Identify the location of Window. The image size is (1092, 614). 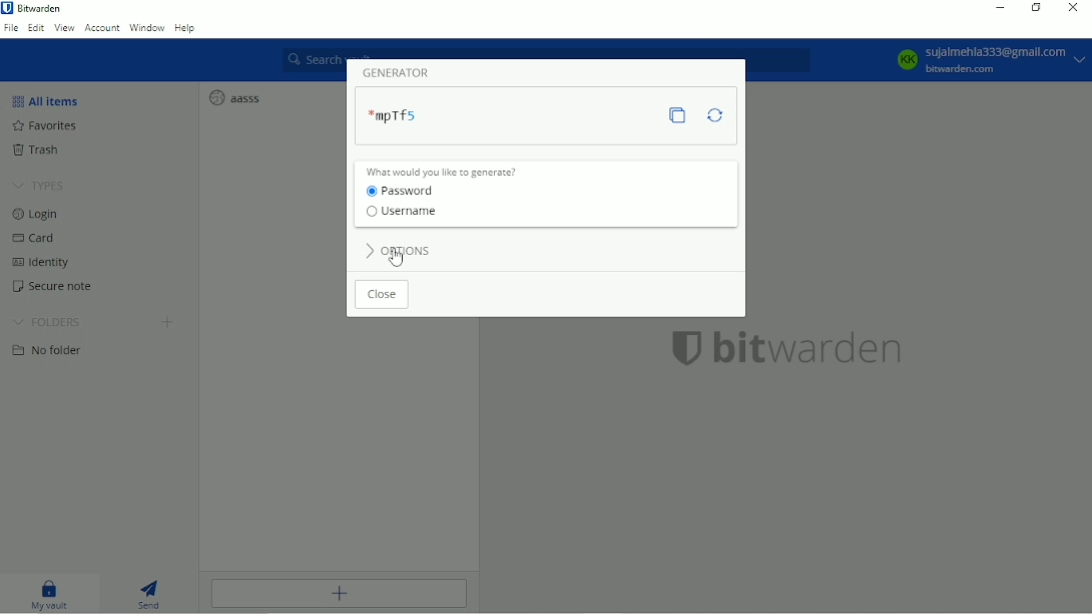
(147, 28).